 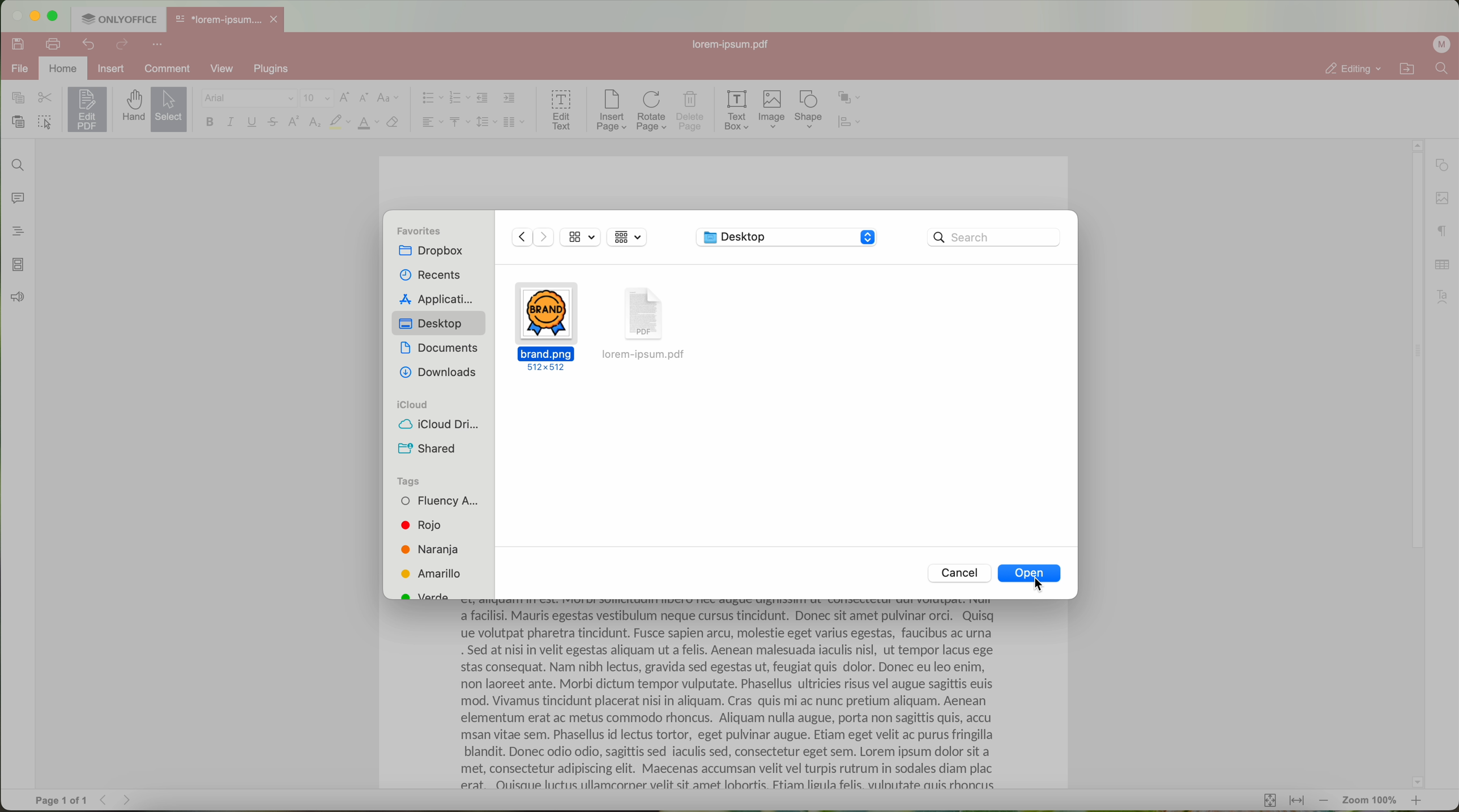 What do you see at coordinates (645, 323) in the screenshot?
I see `lorem-ipsum.pdf` at bounding box center [645, 323].